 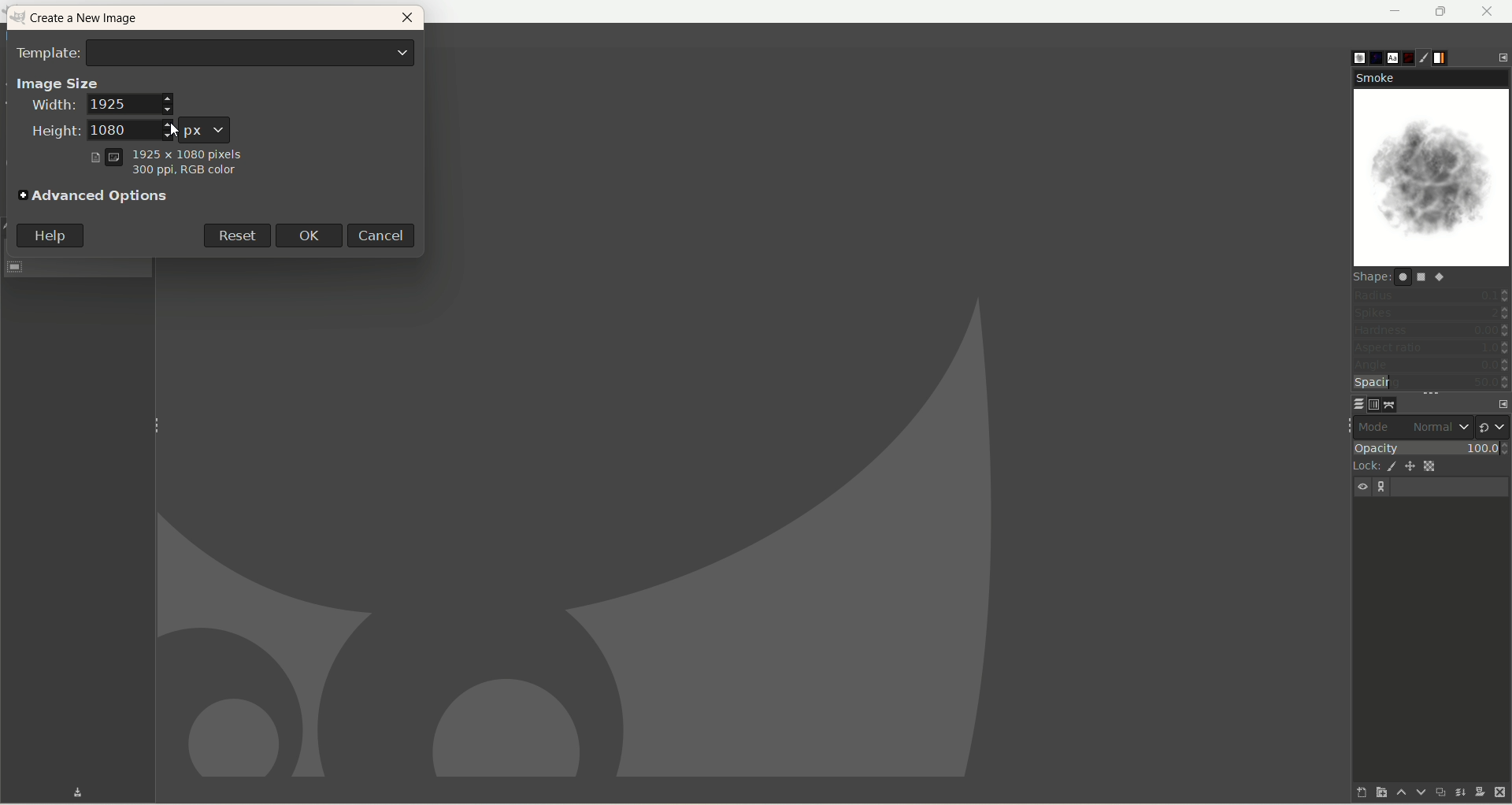 What do you see at coordinates (182, 173) in the screenshot?
I see `color` at bounding box center [182, 173].